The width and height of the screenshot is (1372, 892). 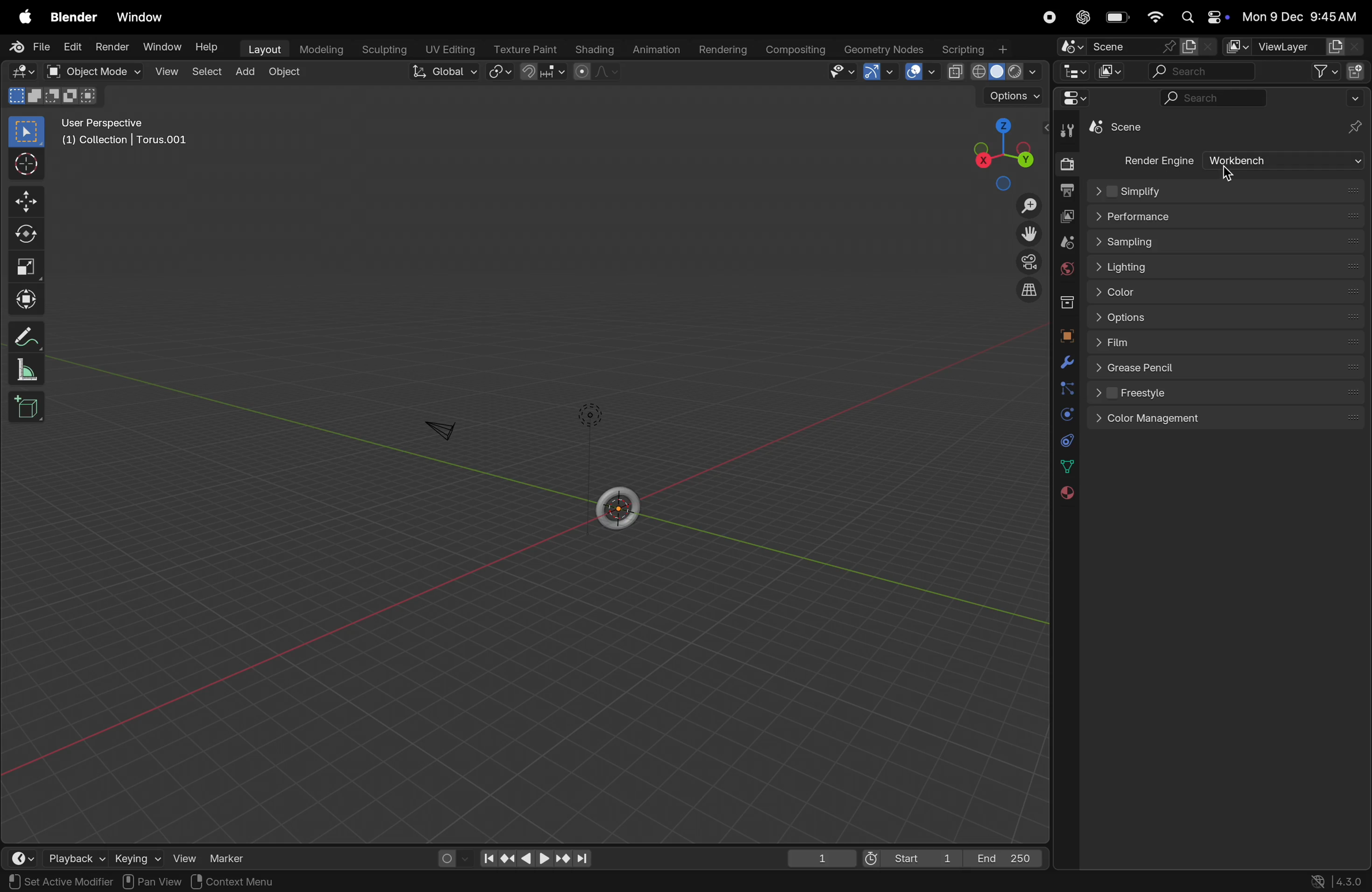 I want to click on new collection, so click(x=1356, y=73).